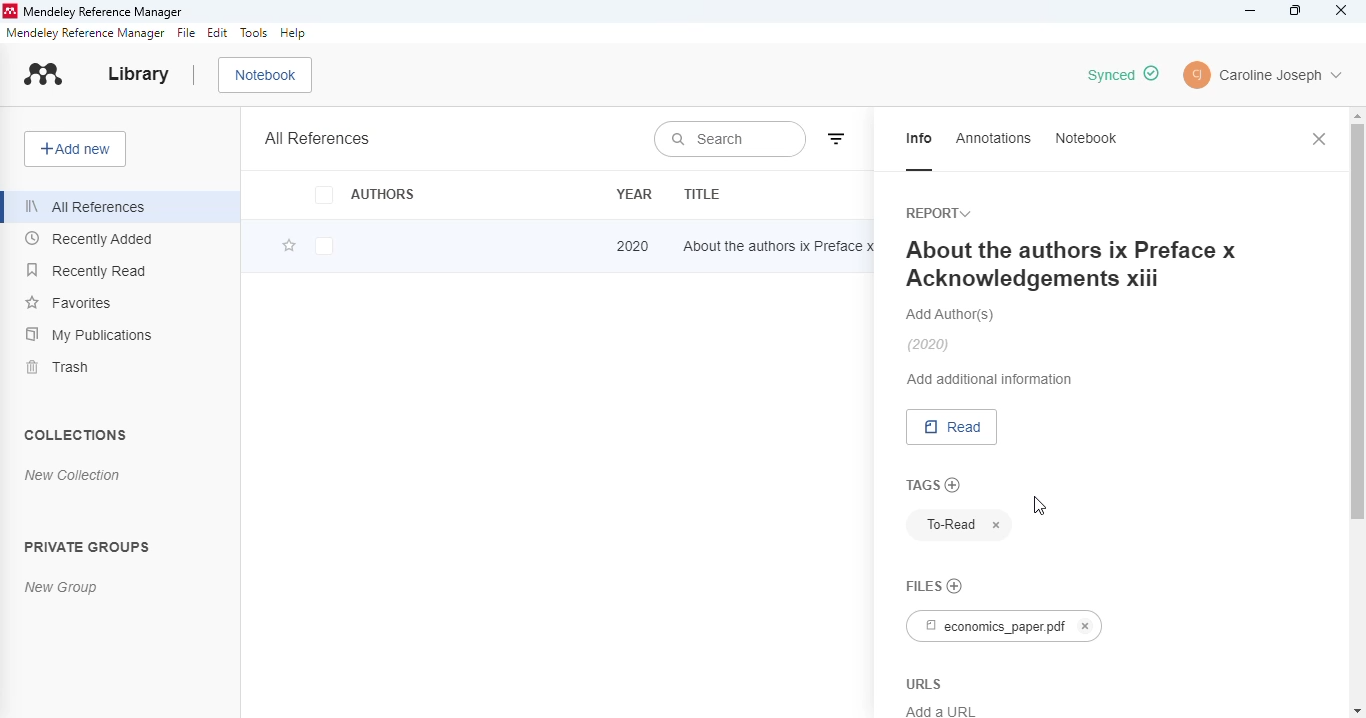 The width and height of the screenshot is (1366, 718). Describe the element at coordinates (941, 708) in the screenshot. I see `Add a URL` at that location.